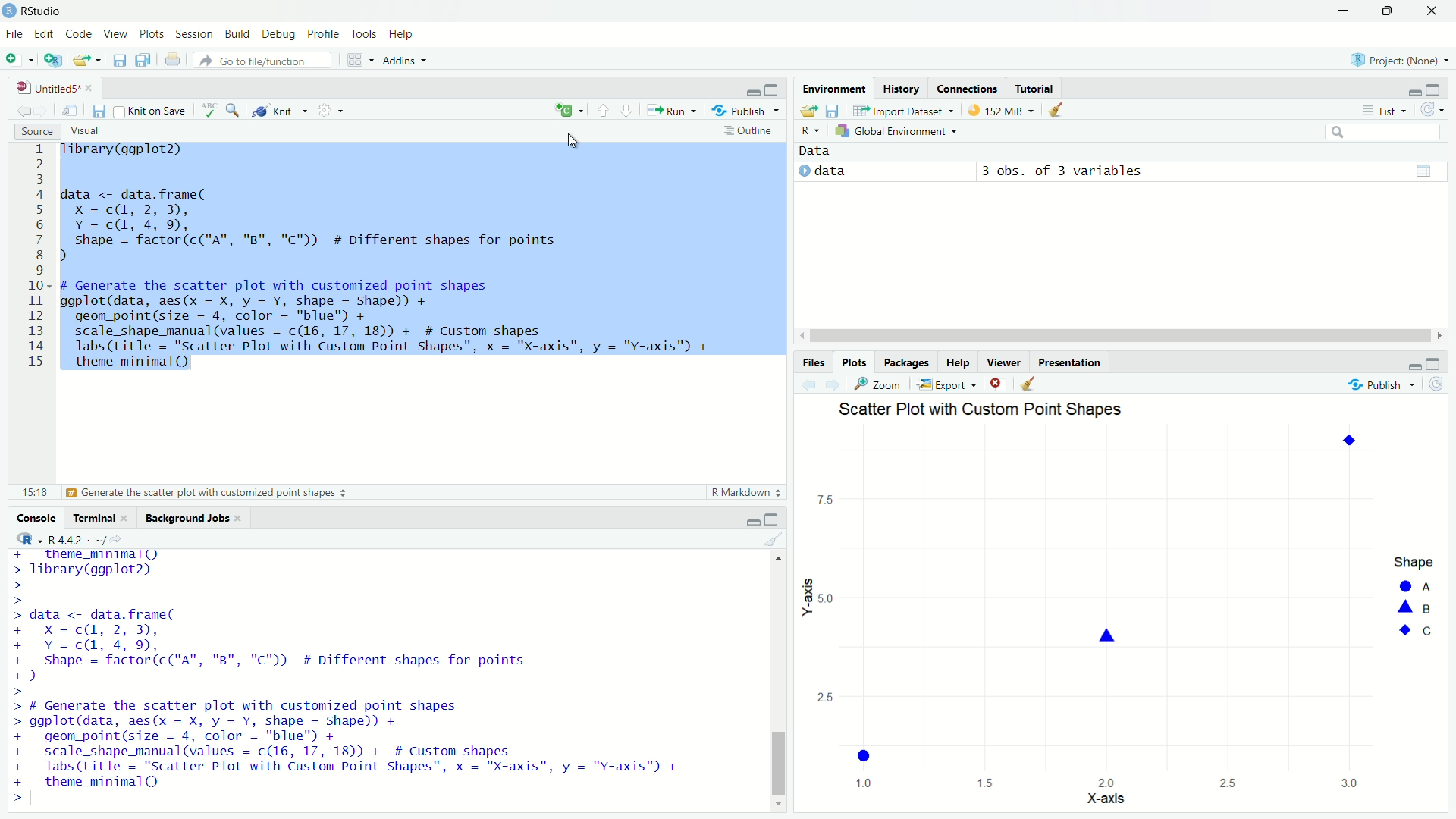  I want to click on Tools, so click(364, 33).